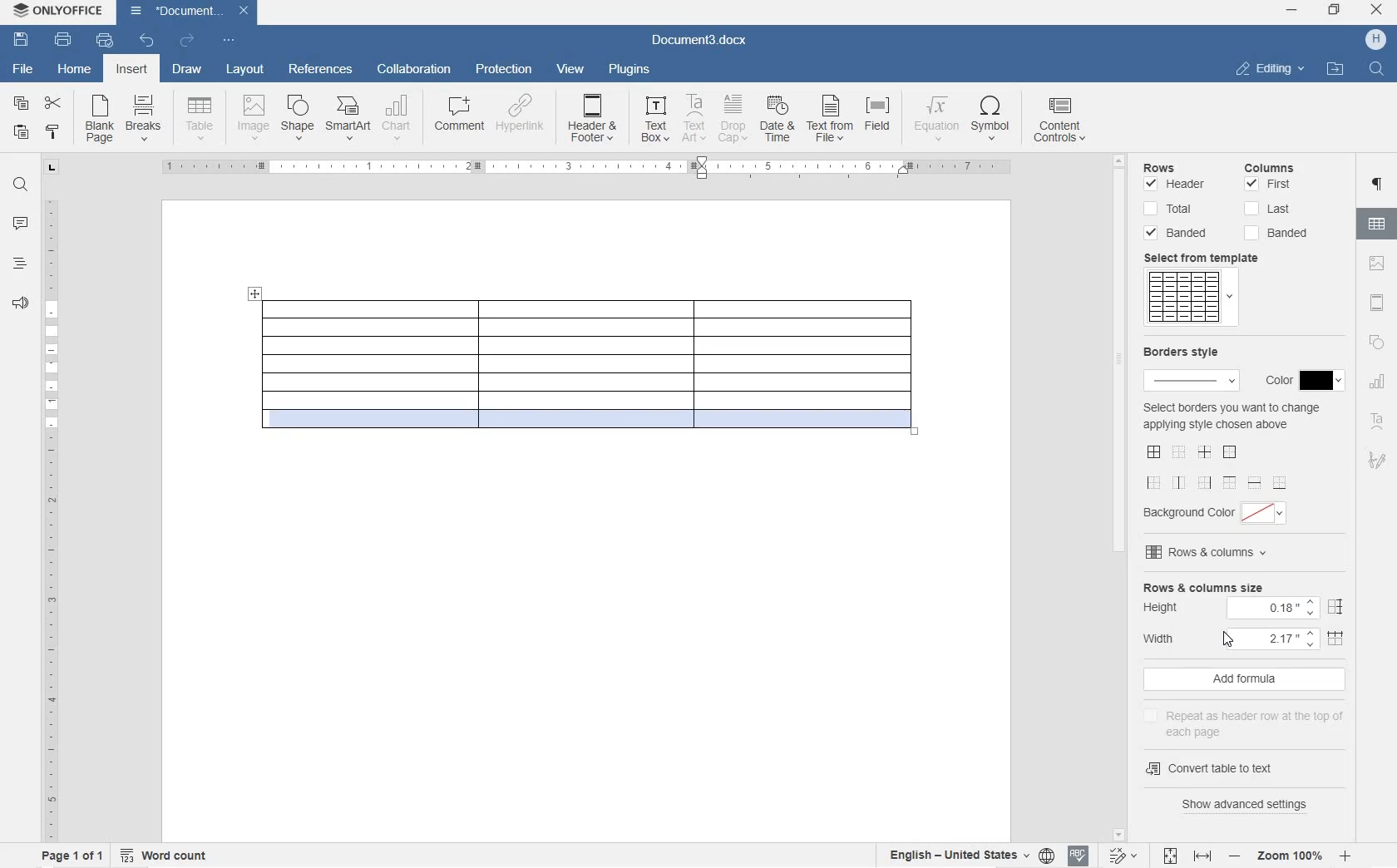  Describe the element at coordinates (969, 855) in the screenshot. I see `SET TEXT OR DOCUMENT LANGUAGE` at that location.